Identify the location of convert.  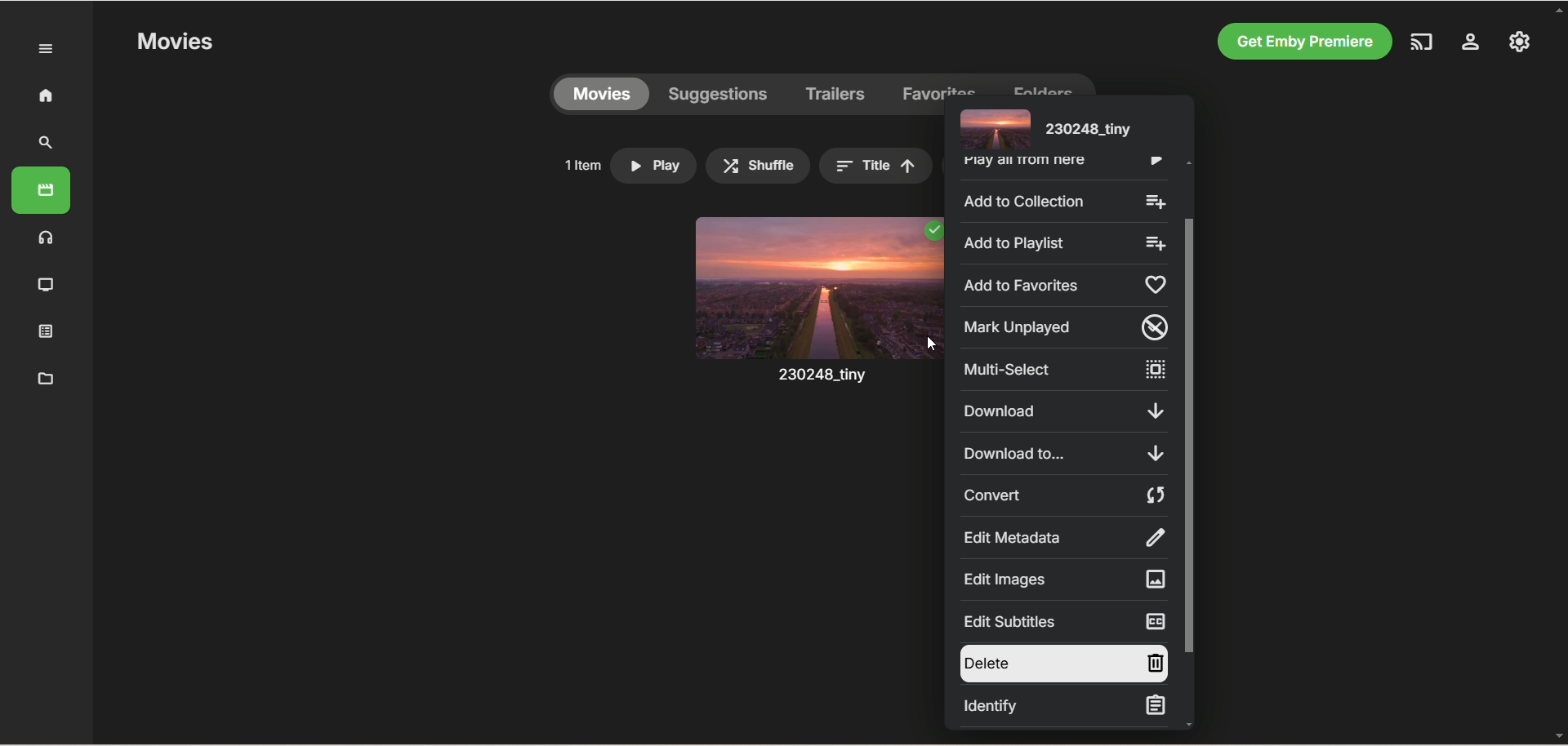
(1064, 495).